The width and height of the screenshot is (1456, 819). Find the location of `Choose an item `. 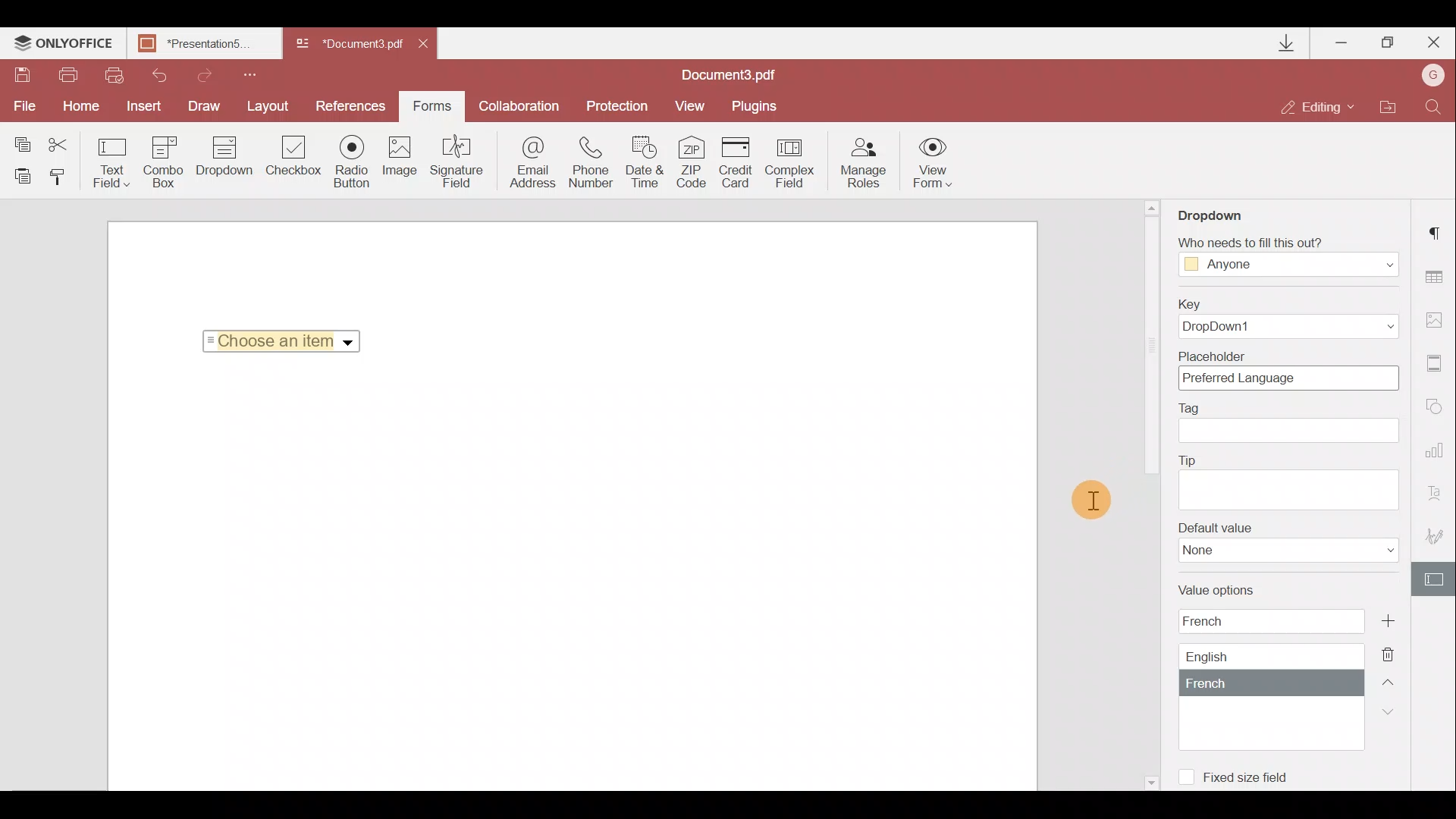

Choose an item  is located at coordinates (287, 338).